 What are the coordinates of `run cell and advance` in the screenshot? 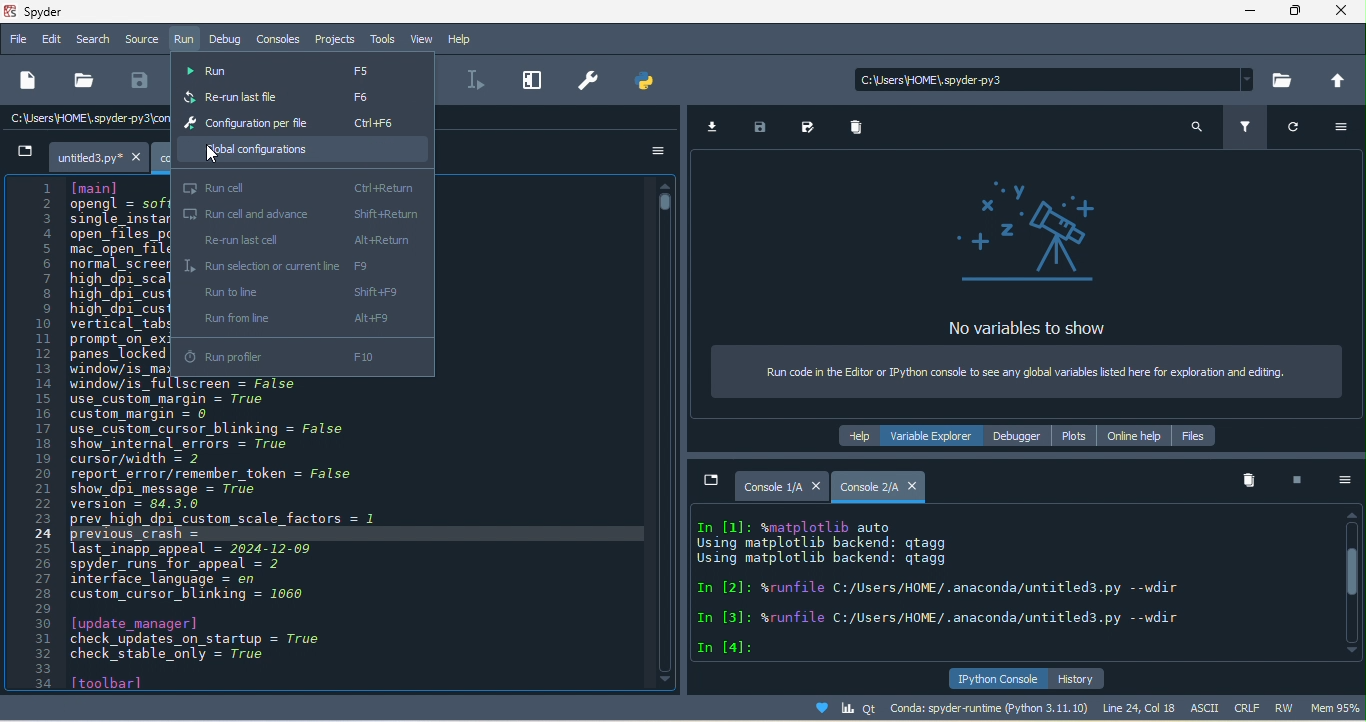 It's located at (300, 213).